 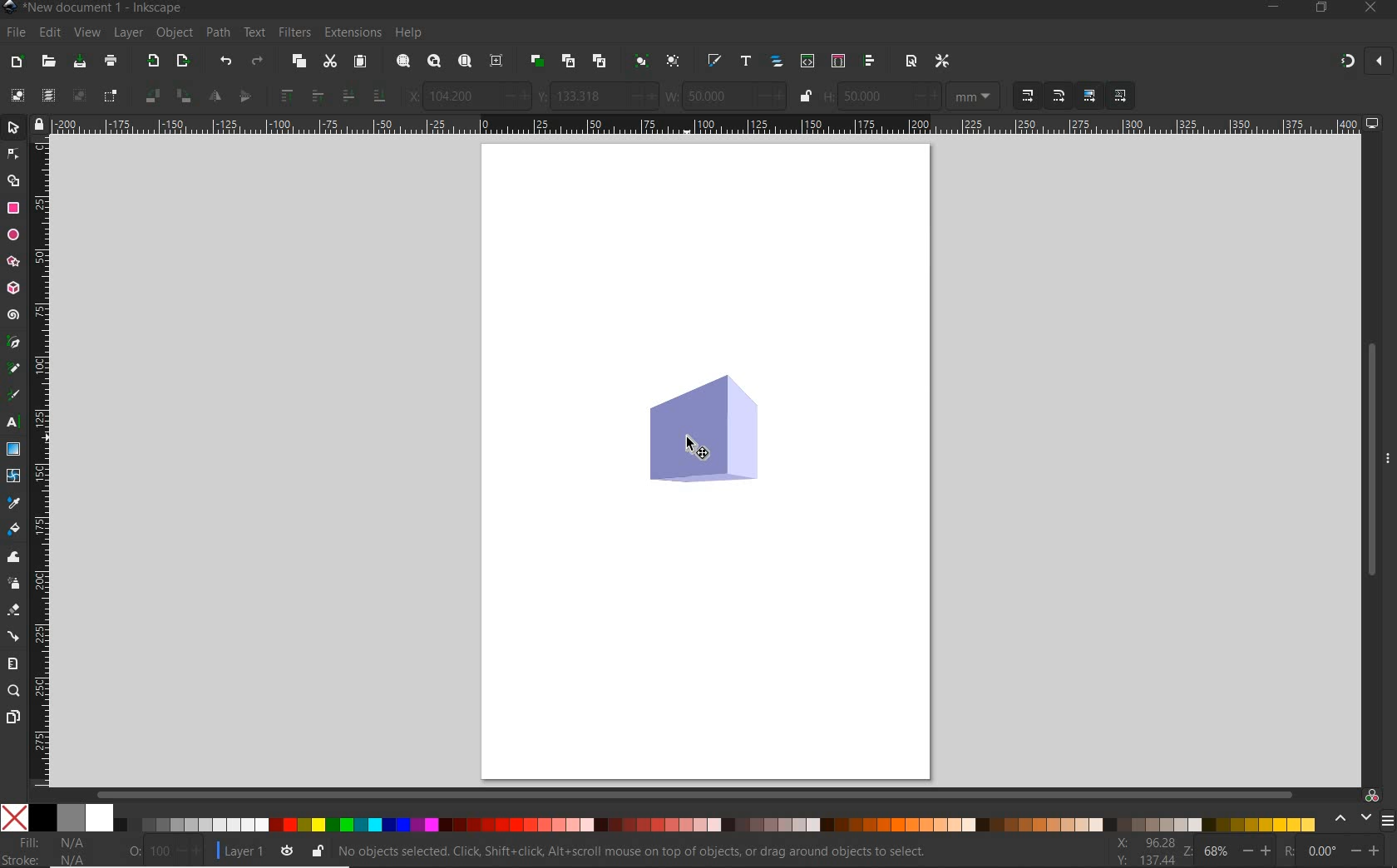 What do you see at coordinates (190, 851) in the screenshot?
I see `increase/decrease` at bounding box center [190, 851].